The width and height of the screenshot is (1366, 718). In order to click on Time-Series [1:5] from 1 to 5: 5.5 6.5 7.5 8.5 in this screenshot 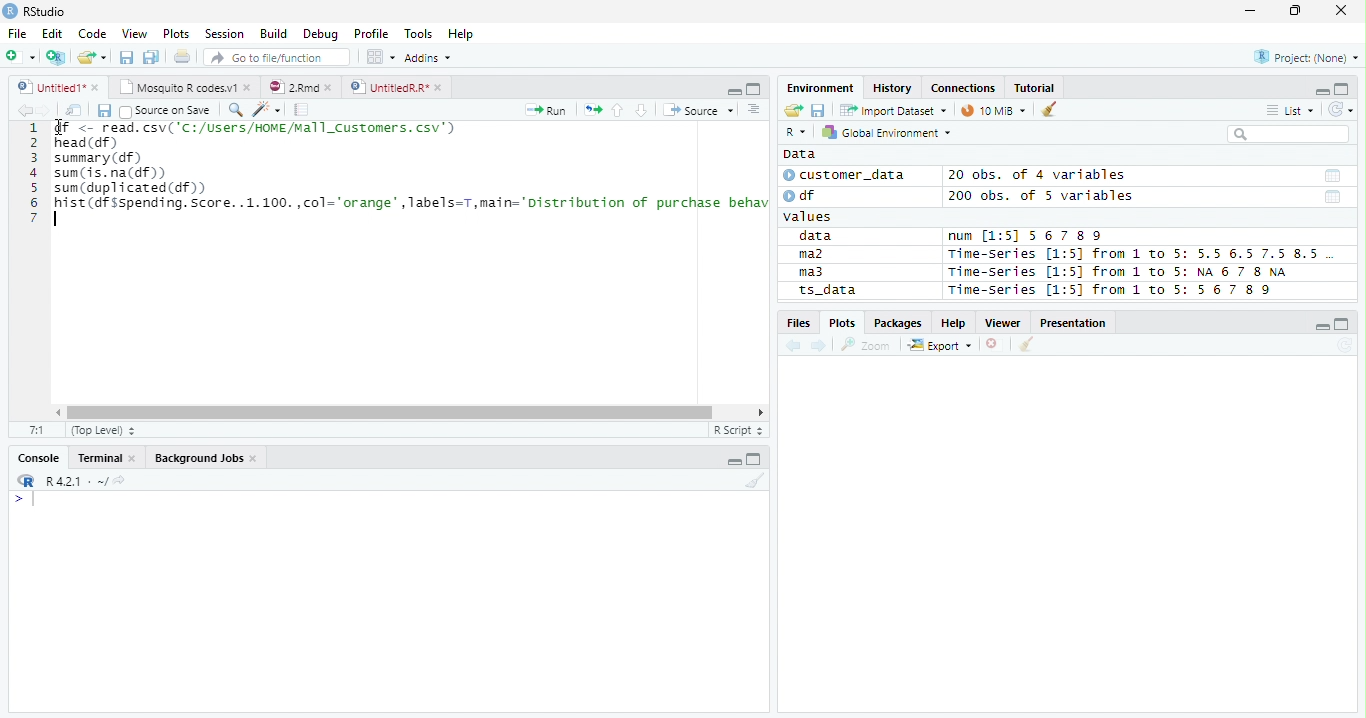, I will do `click(1137, 255)`.